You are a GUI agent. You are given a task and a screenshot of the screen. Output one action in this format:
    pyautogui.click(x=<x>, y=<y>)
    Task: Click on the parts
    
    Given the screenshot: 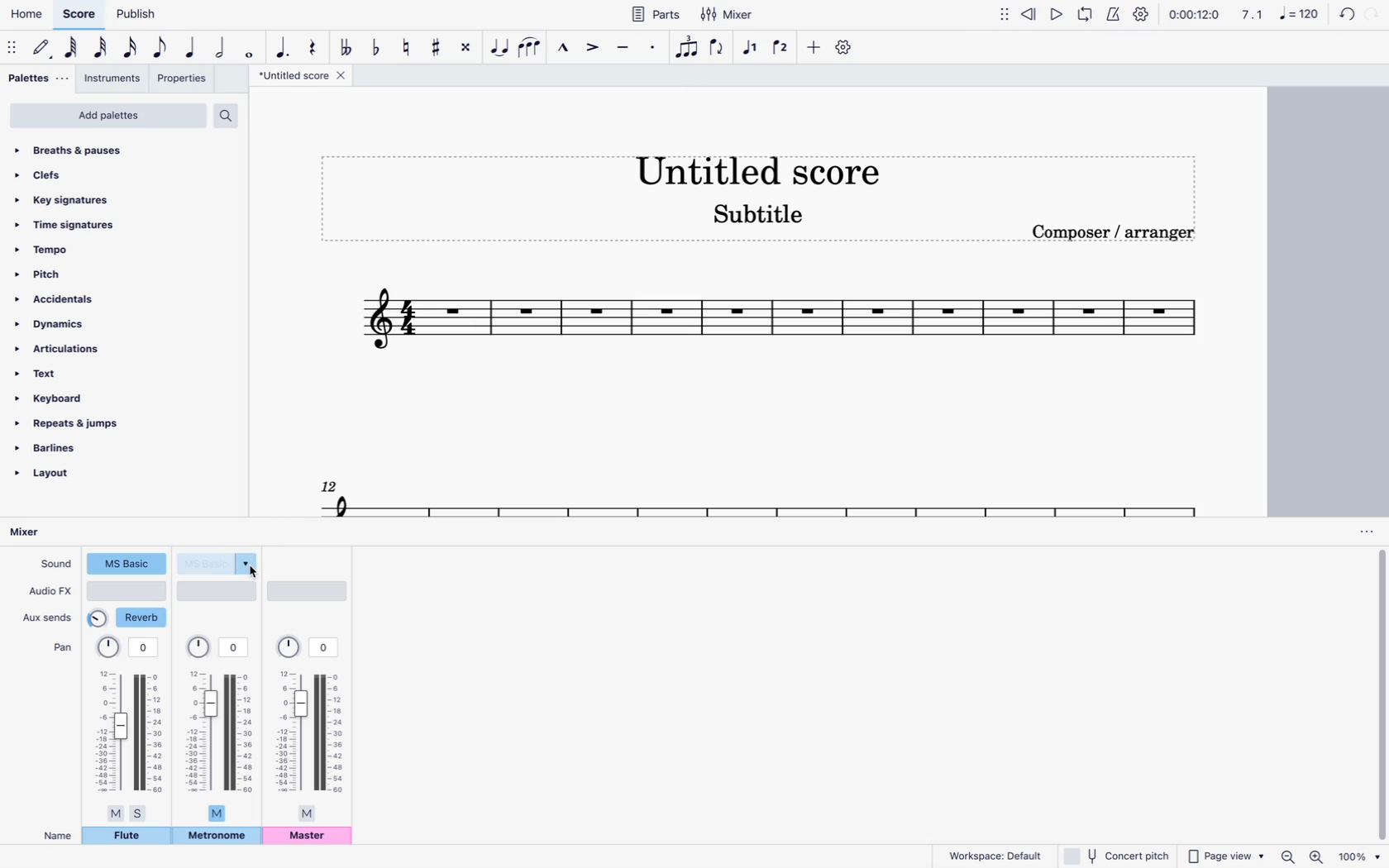 What is the action you would take?
    pyautogui.click(x=657, y=14)
    